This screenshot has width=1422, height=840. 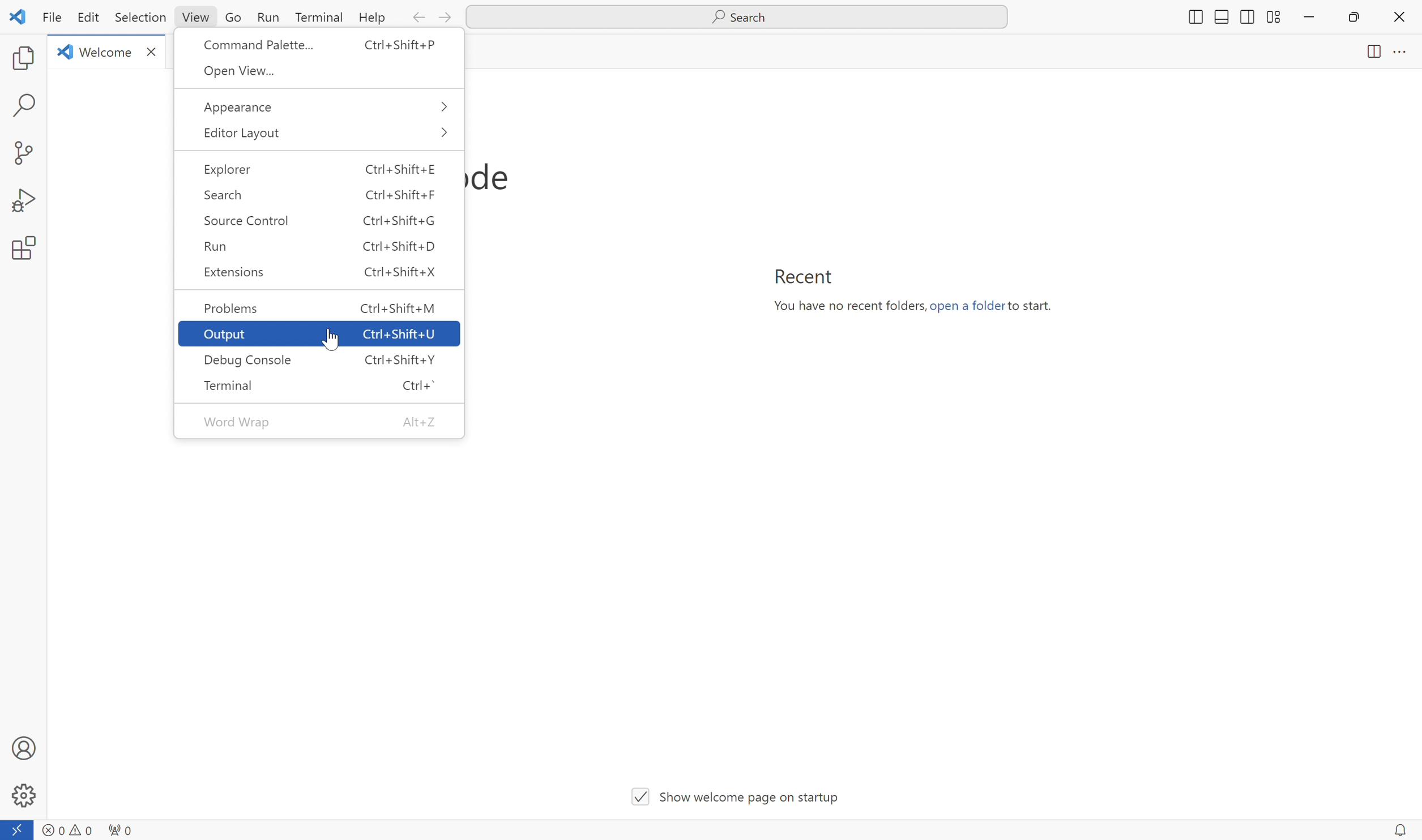 I want to click on debug console, so click(x=318, y=359).